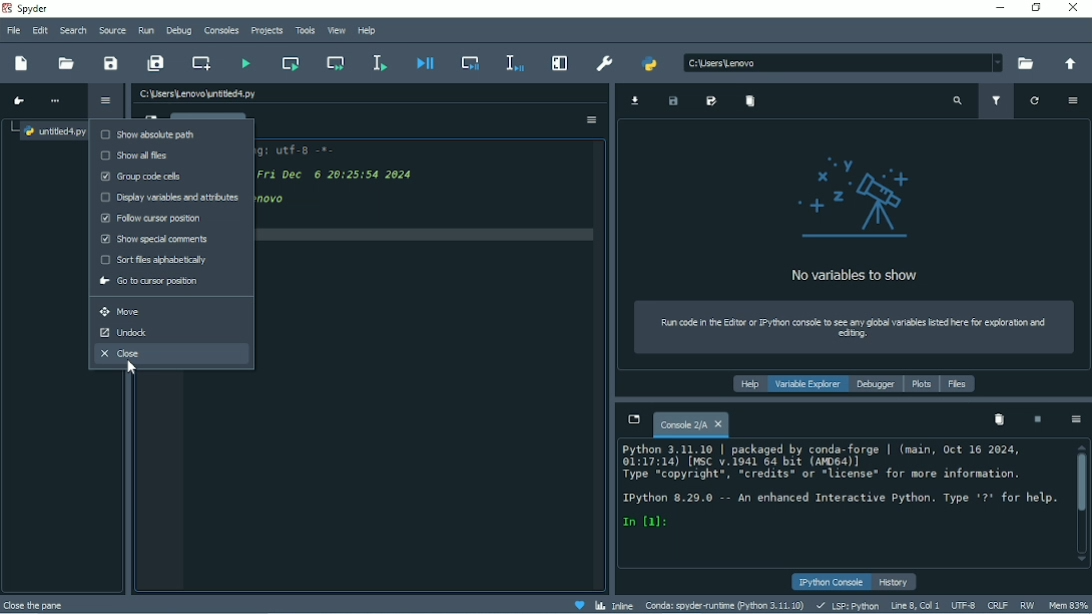 The image size is (1092, 614). Describe the element at coordinates (155, 63) in the screenshot. I see `Save all files` at that location.